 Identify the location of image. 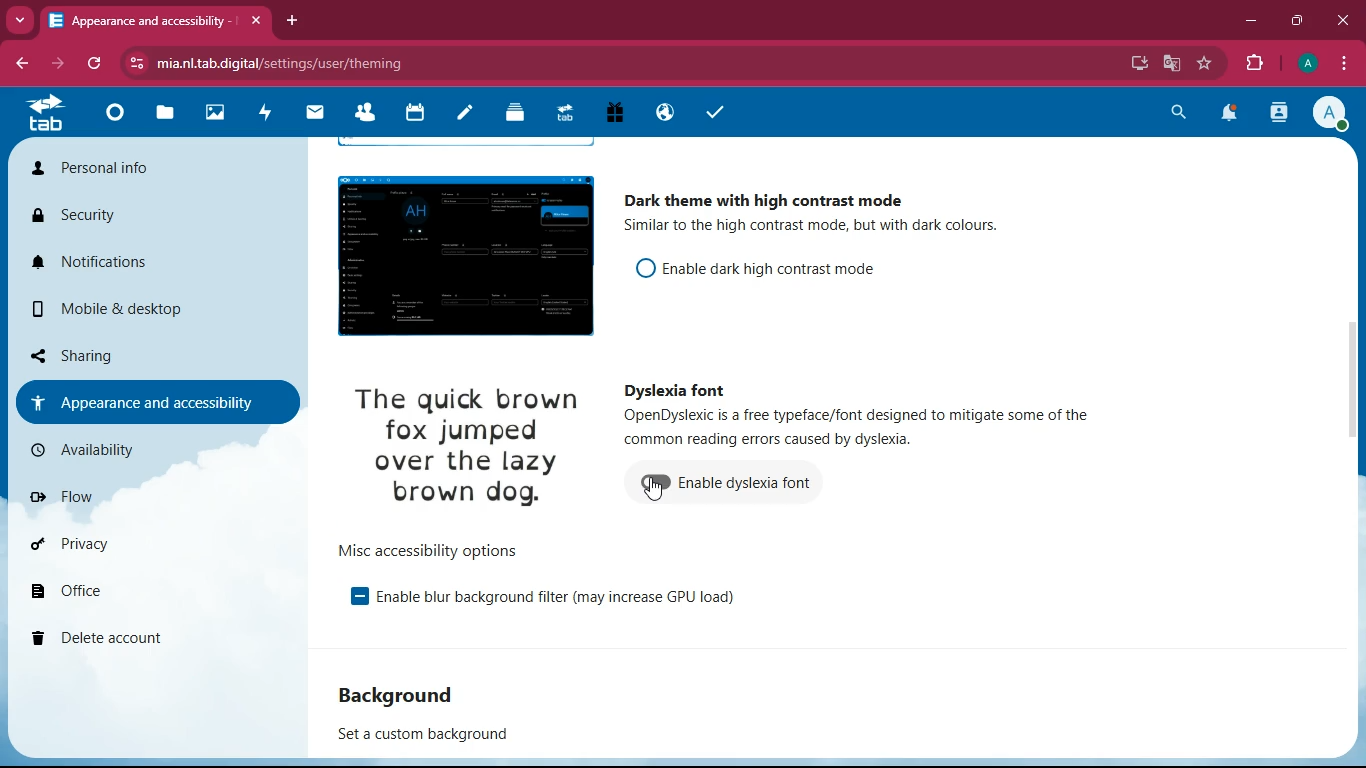
(461, 449).